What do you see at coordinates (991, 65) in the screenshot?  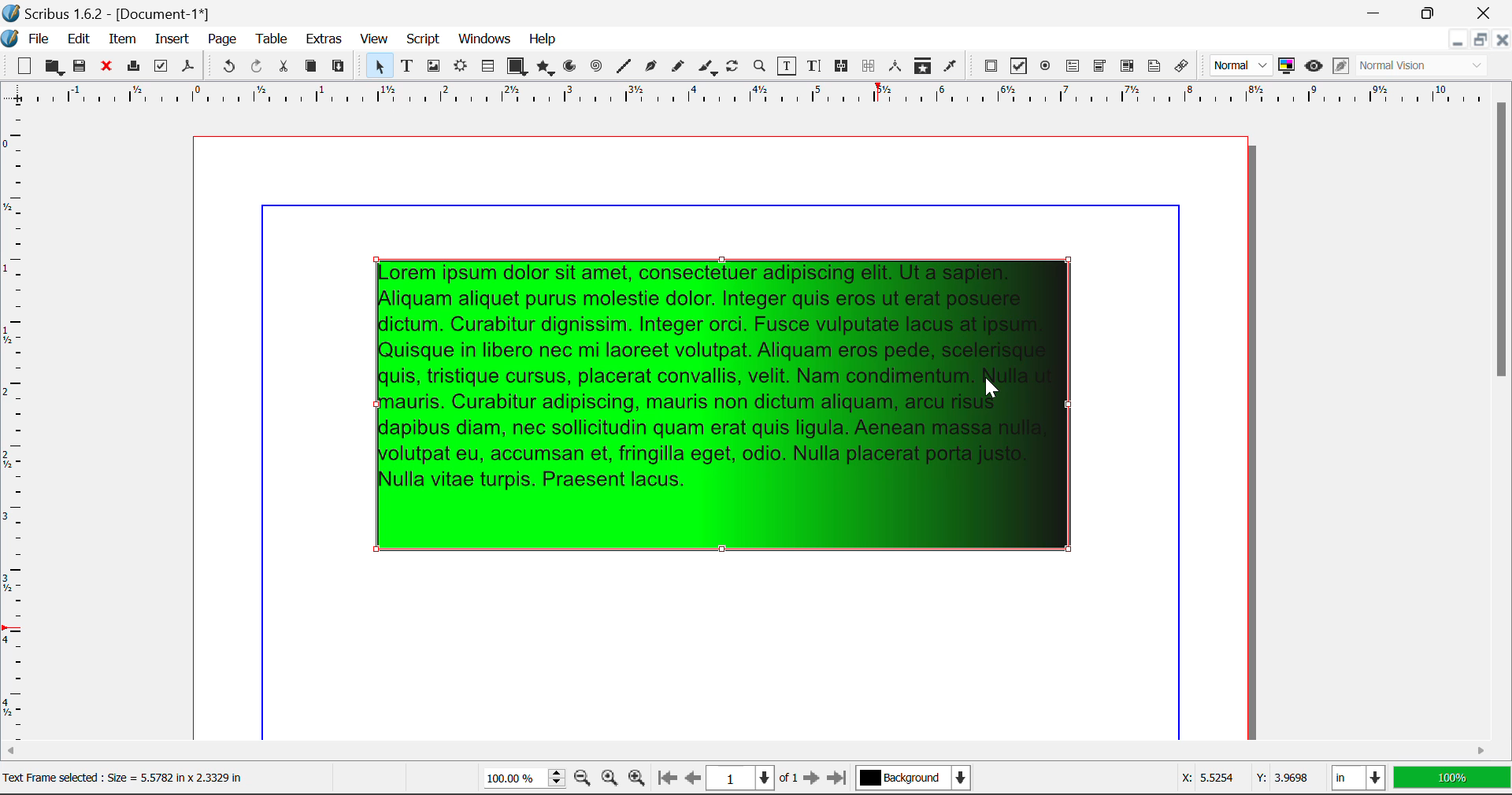 I see `PDF Push Button` at bounding box center [991, 65].